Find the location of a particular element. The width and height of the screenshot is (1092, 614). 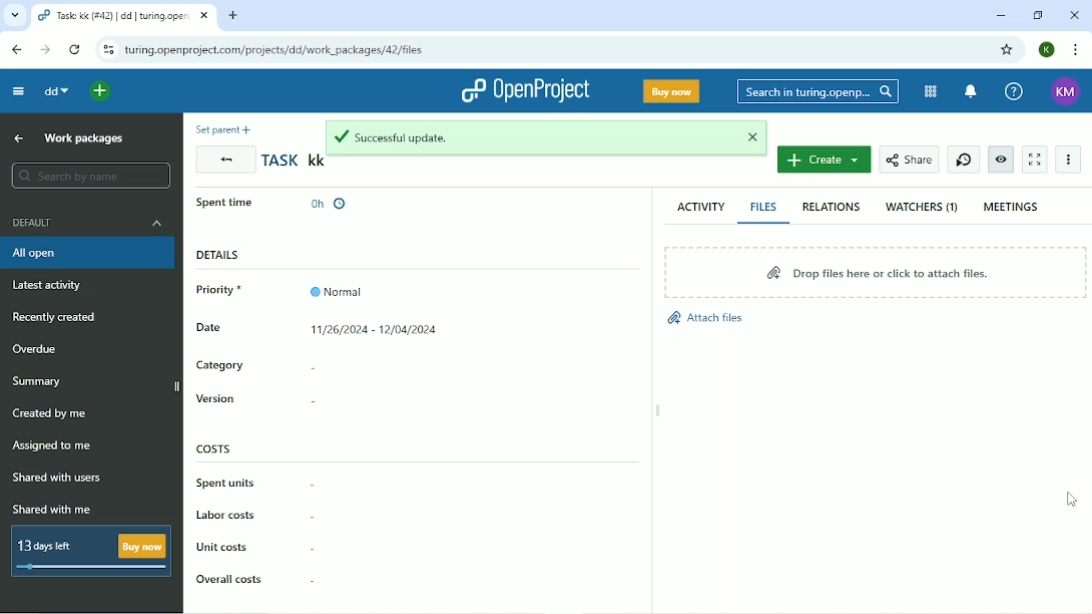

Priority * is located at coordinates (227, 290).